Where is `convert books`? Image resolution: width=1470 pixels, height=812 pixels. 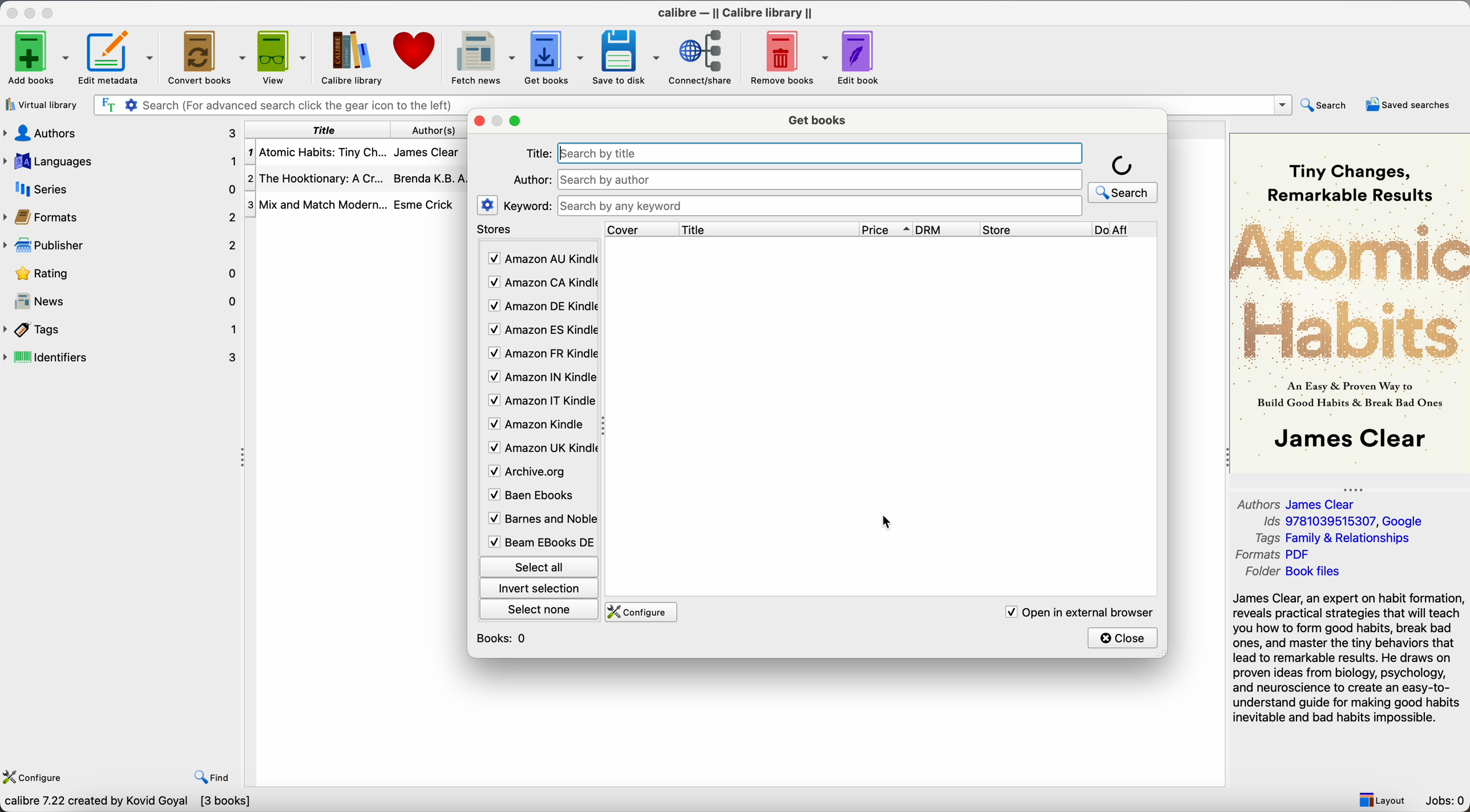
convert books is located at coordinates (205, 56).